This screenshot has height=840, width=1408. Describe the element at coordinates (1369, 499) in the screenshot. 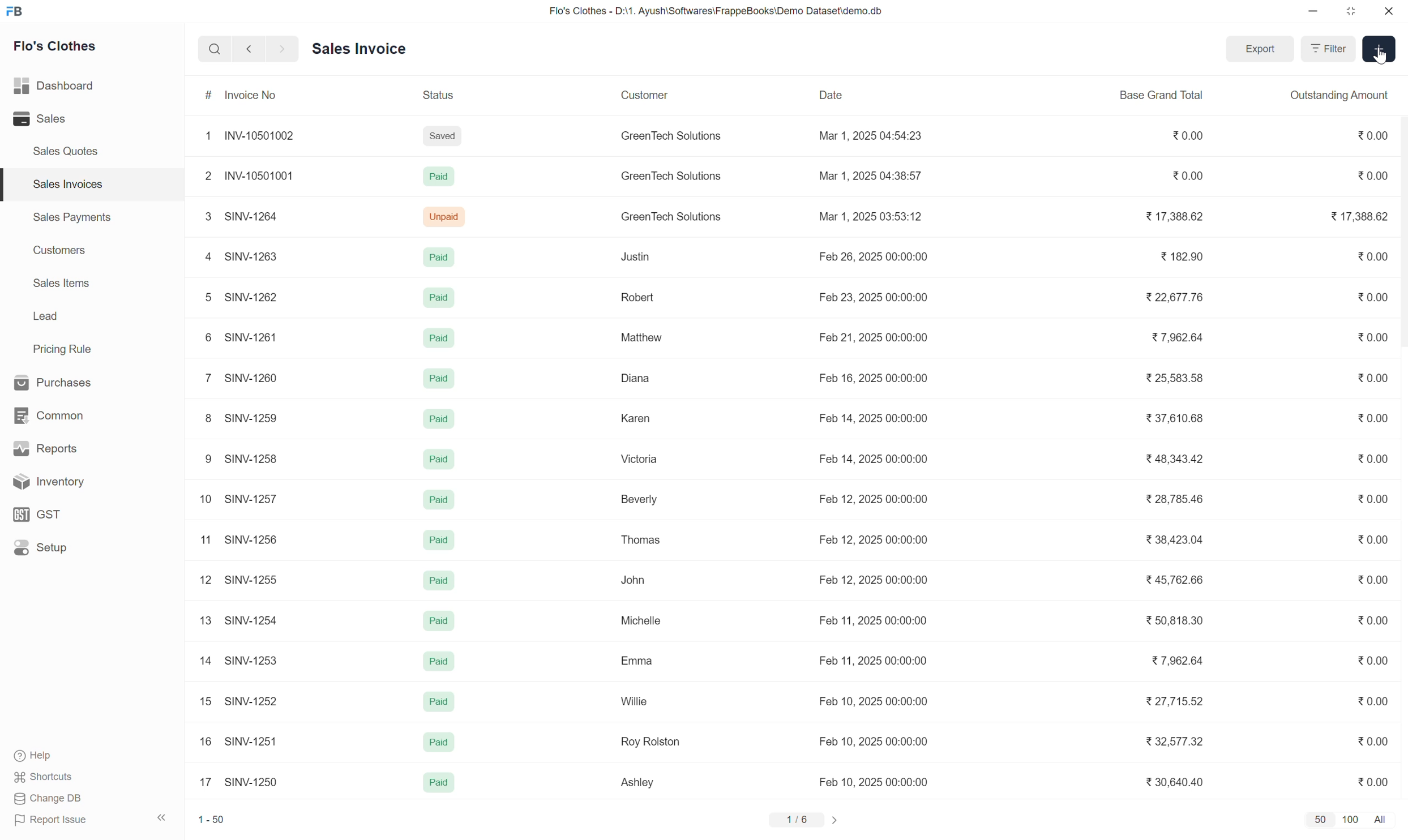

I see `₹0.00` at that location.